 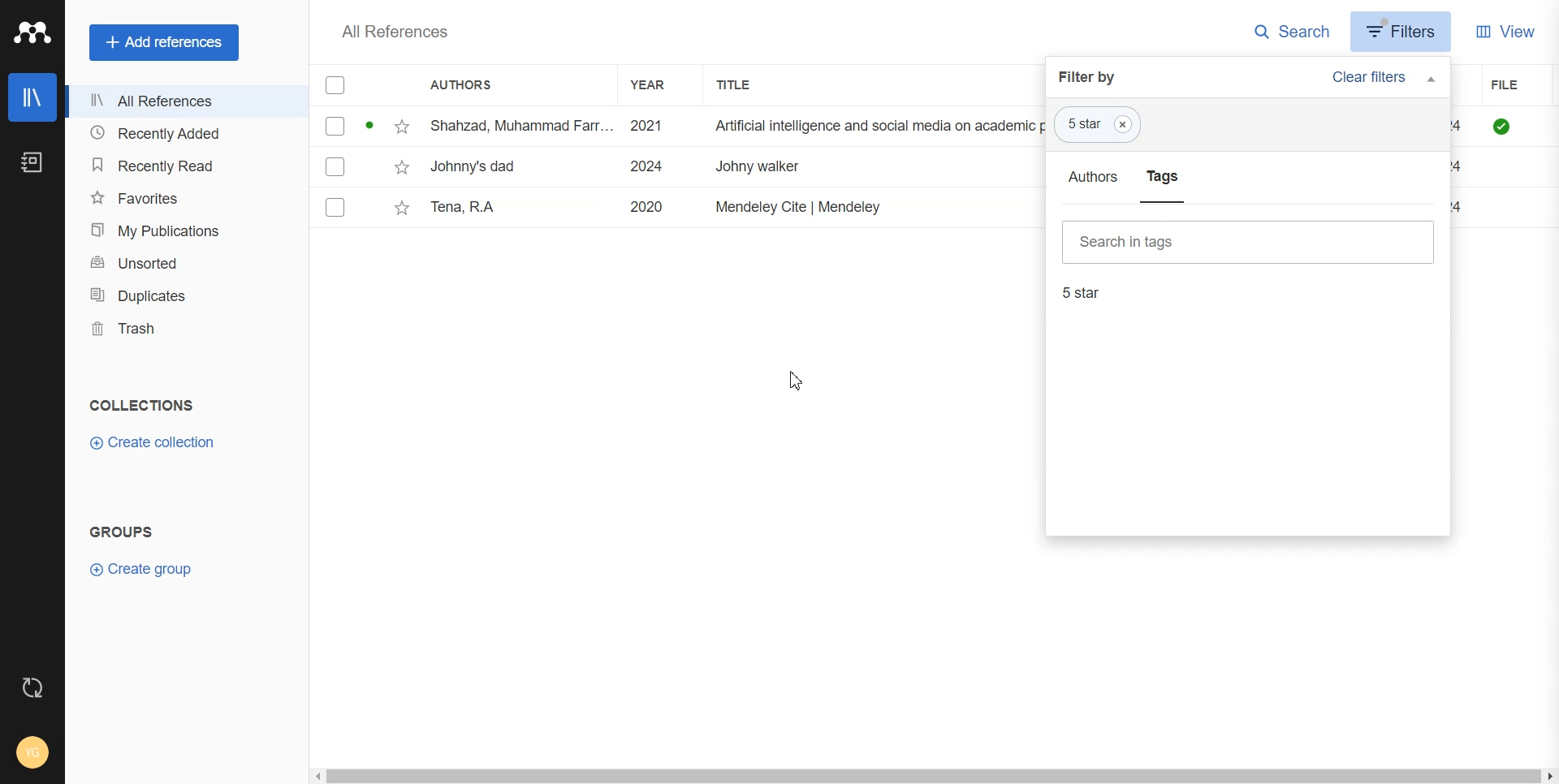 I want to click on File, so click(x=676, y=208).